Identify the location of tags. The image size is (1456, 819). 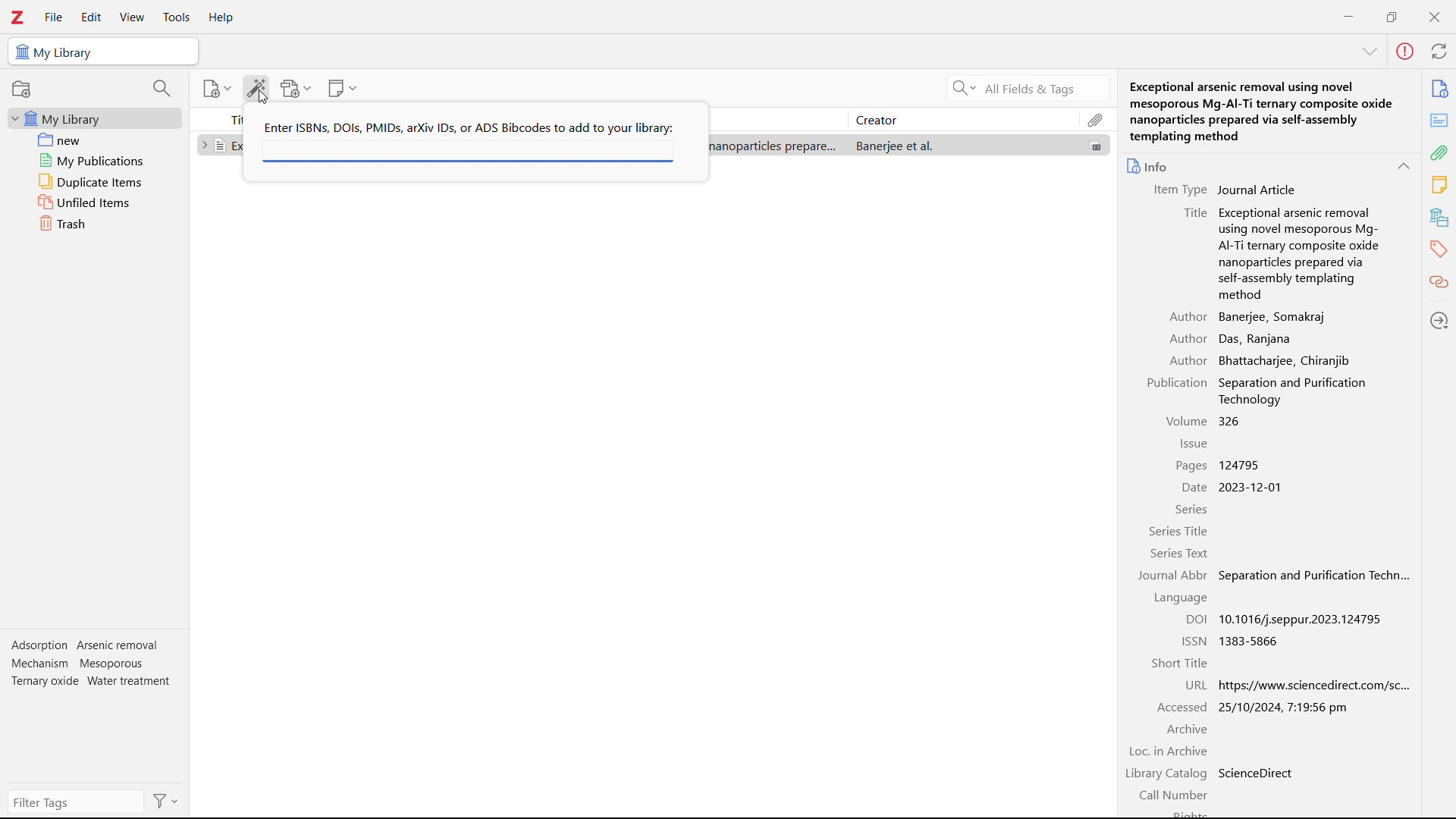
(93, 667).